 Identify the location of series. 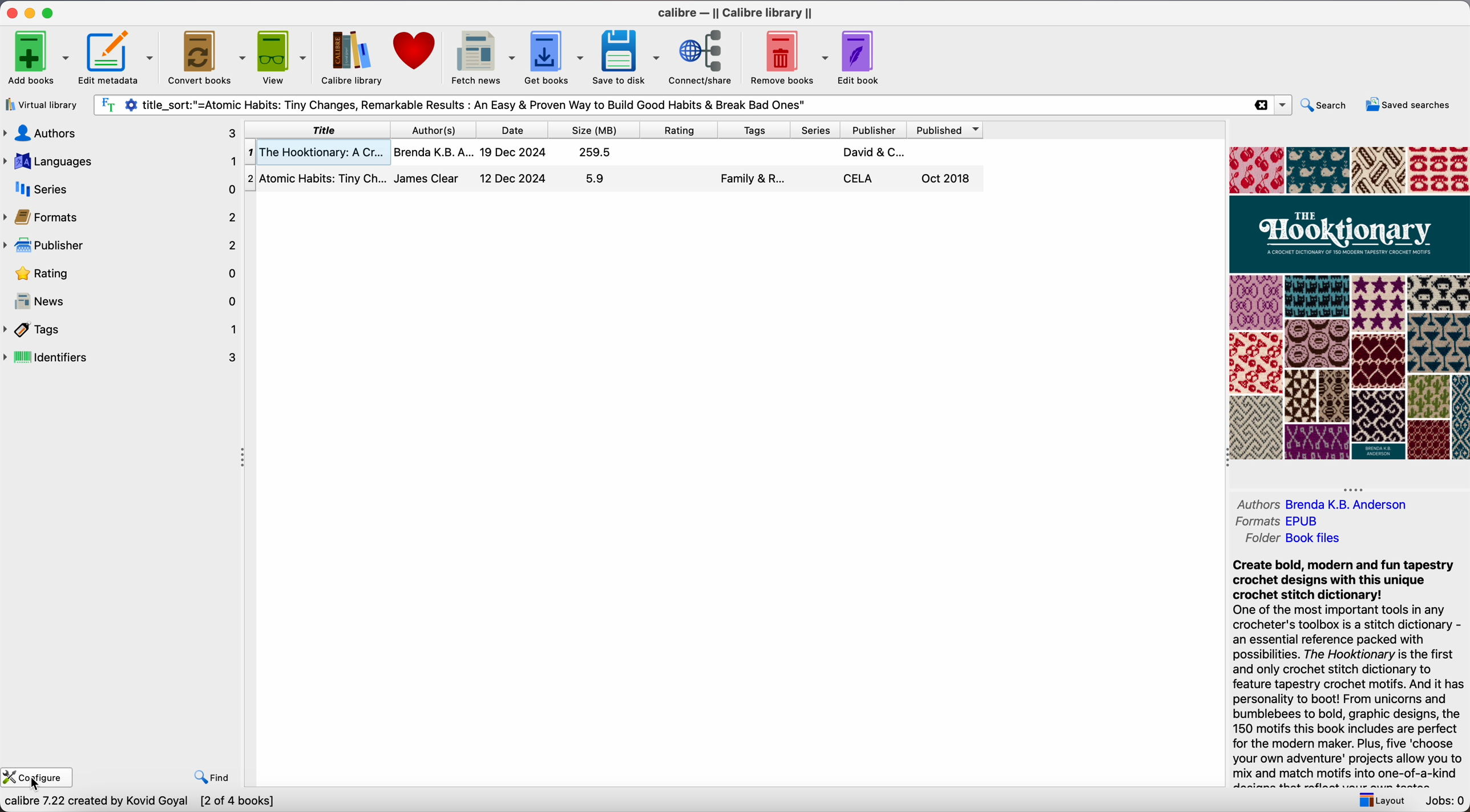
(122, 191).